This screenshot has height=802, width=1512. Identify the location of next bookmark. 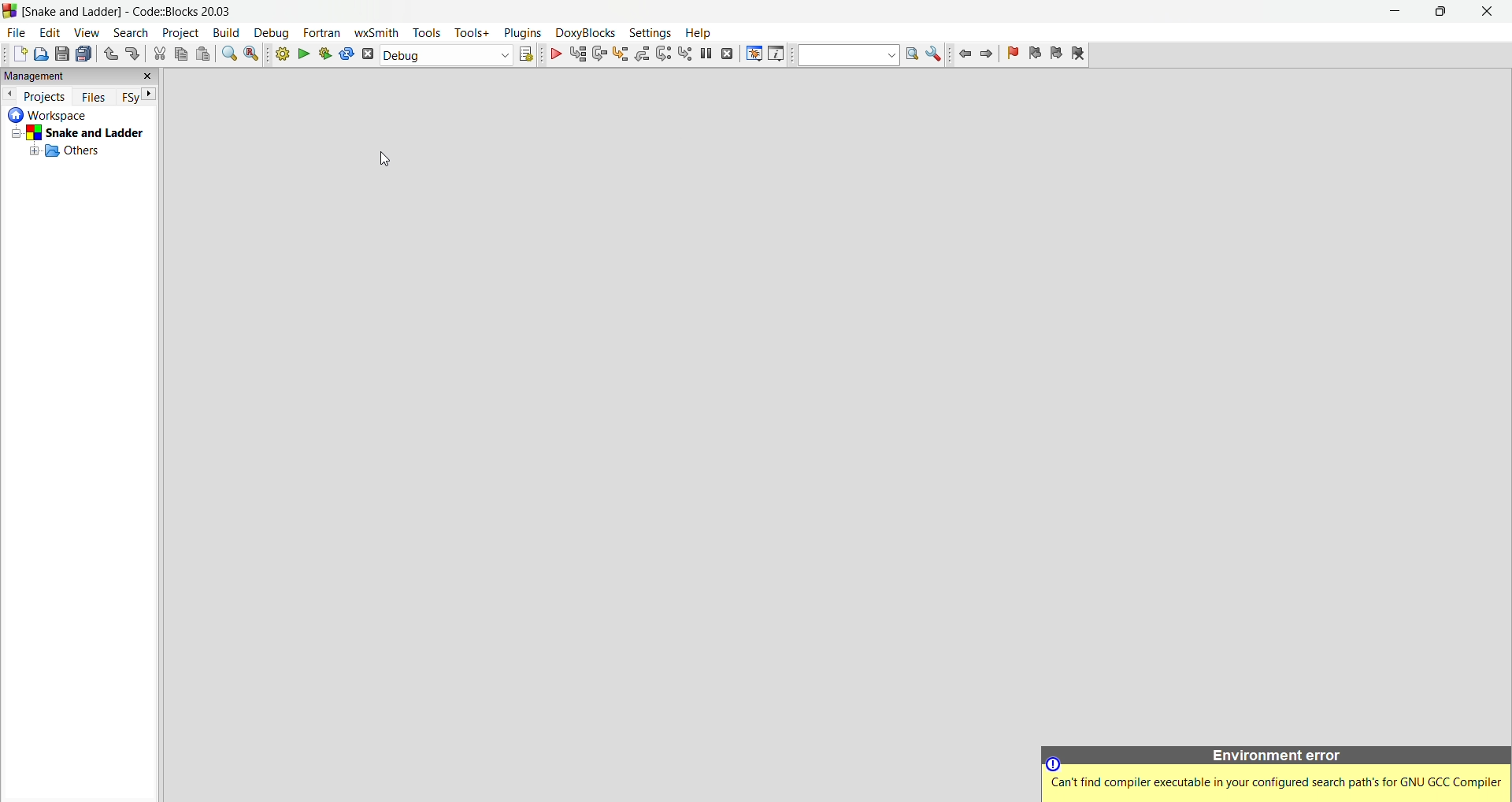
(1056, 54).